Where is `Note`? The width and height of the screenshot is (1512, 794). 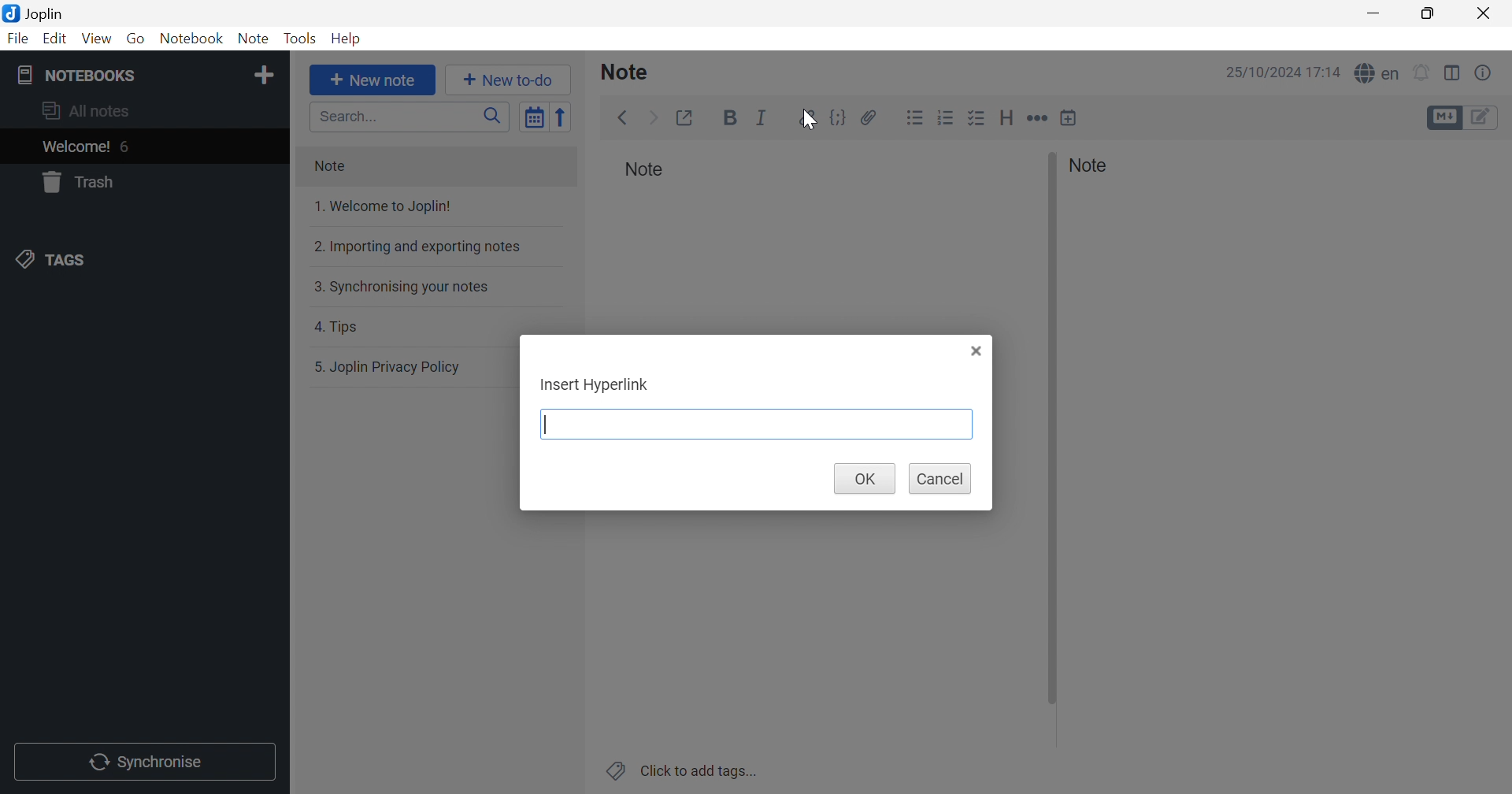
Note is located at coordinates (1094, 165).